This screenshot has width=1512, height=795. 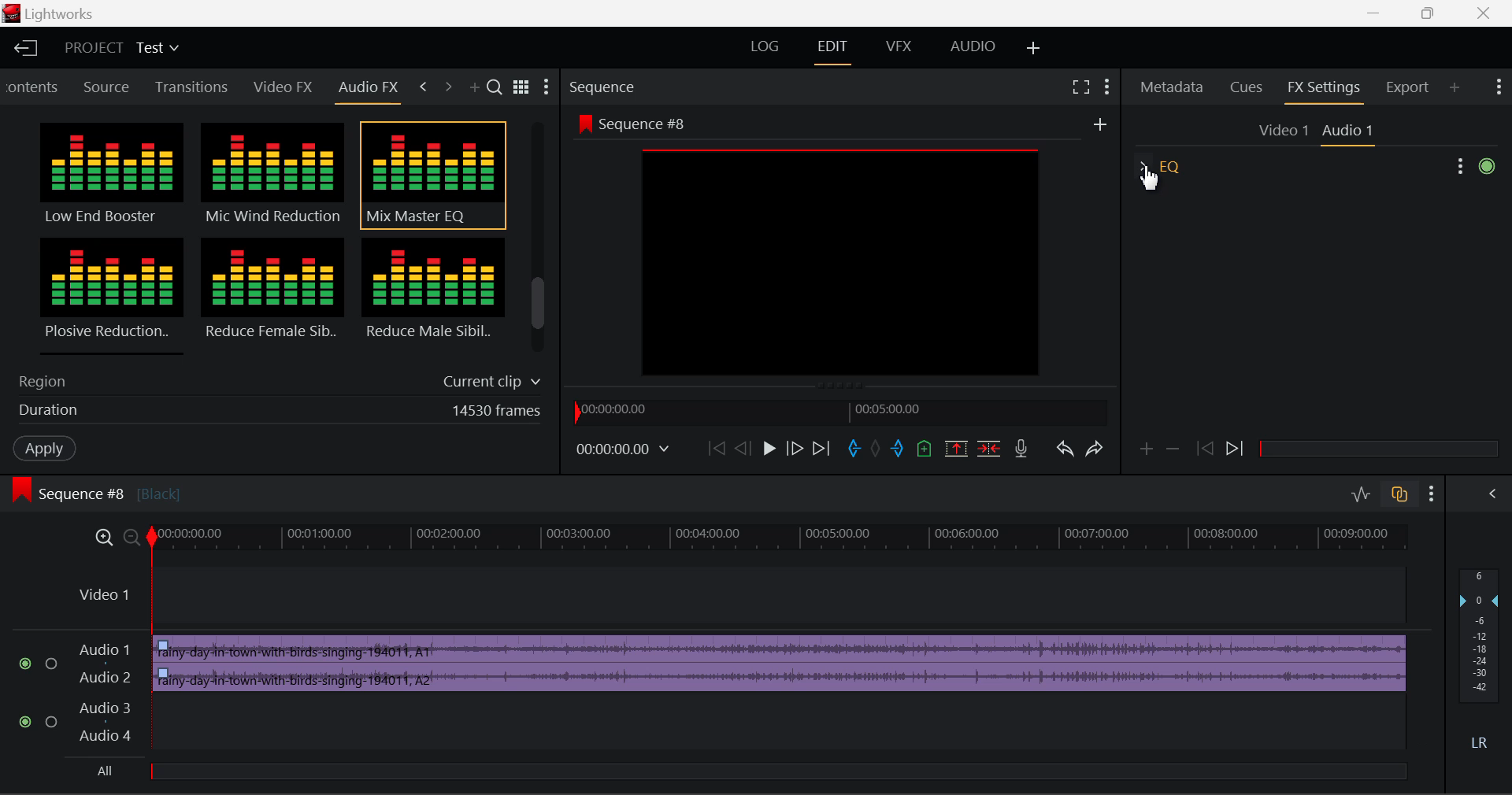 I want to click on Show Settings, so click(x=1497, y=84).